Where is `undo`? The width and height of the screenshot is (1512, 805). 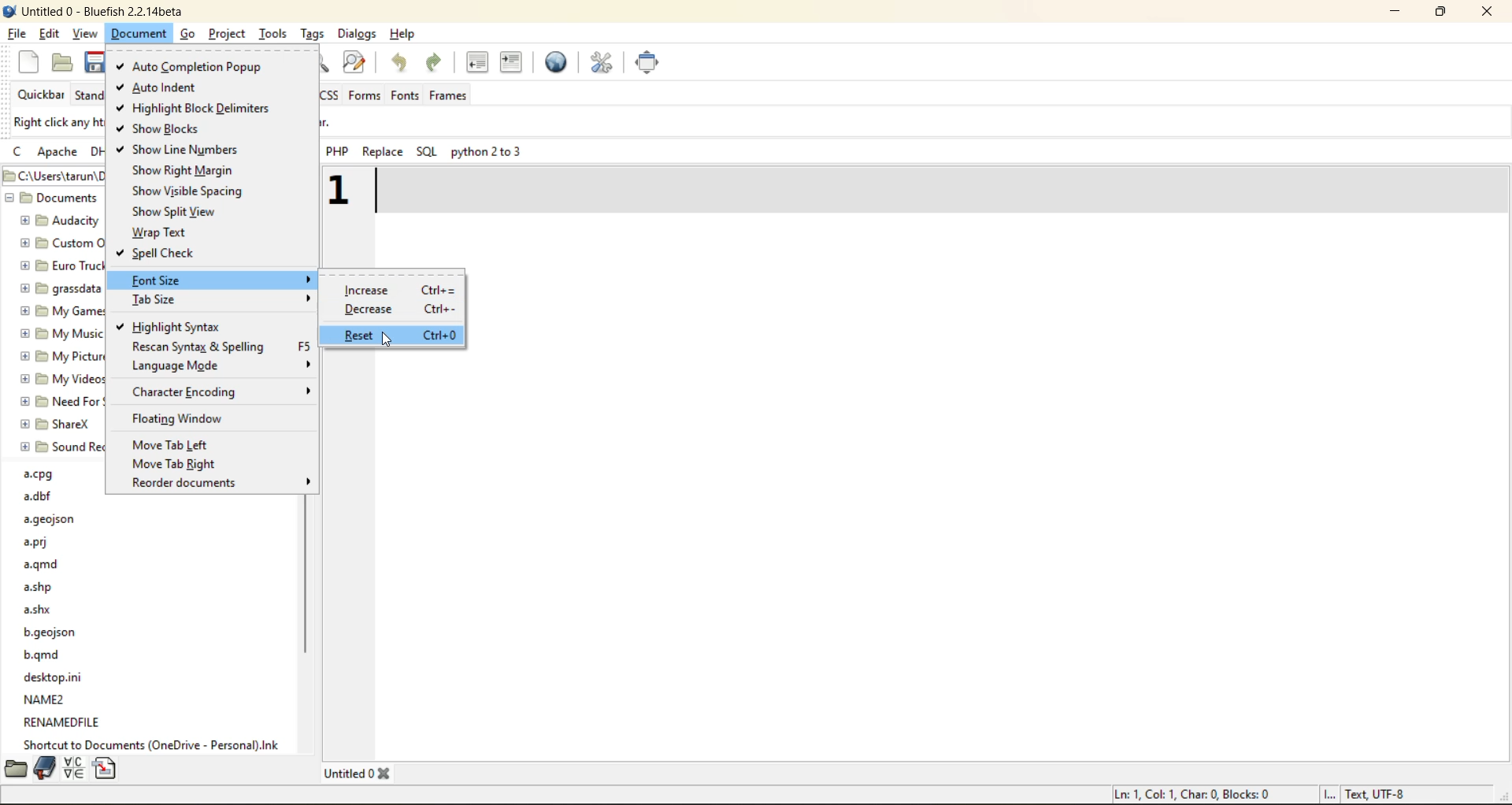 undo is located at coordinates (400, 61).